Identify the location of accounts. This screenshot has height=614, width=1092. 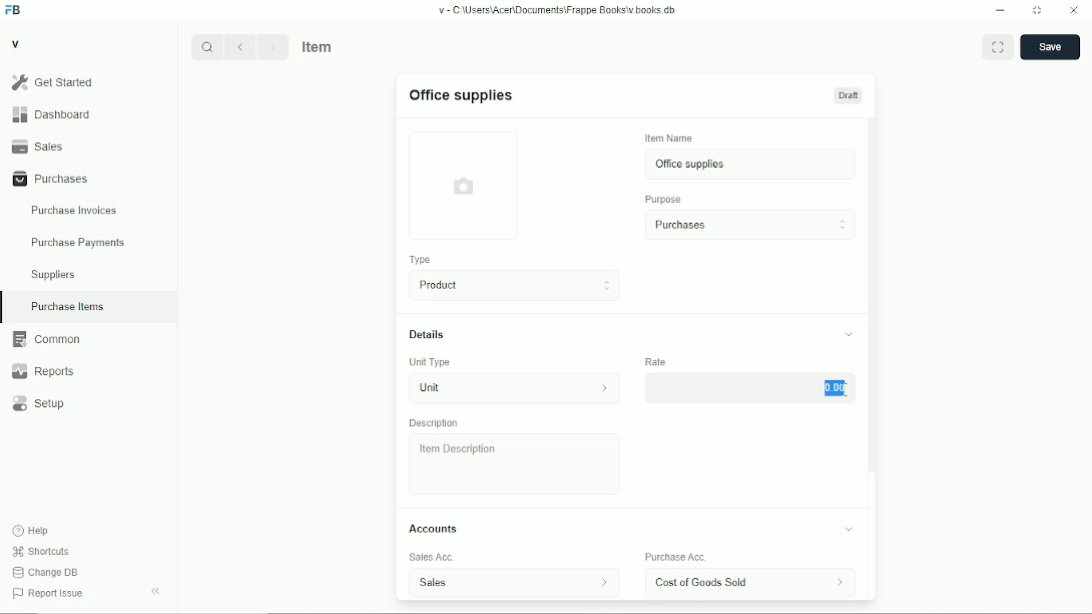
(433, 528).